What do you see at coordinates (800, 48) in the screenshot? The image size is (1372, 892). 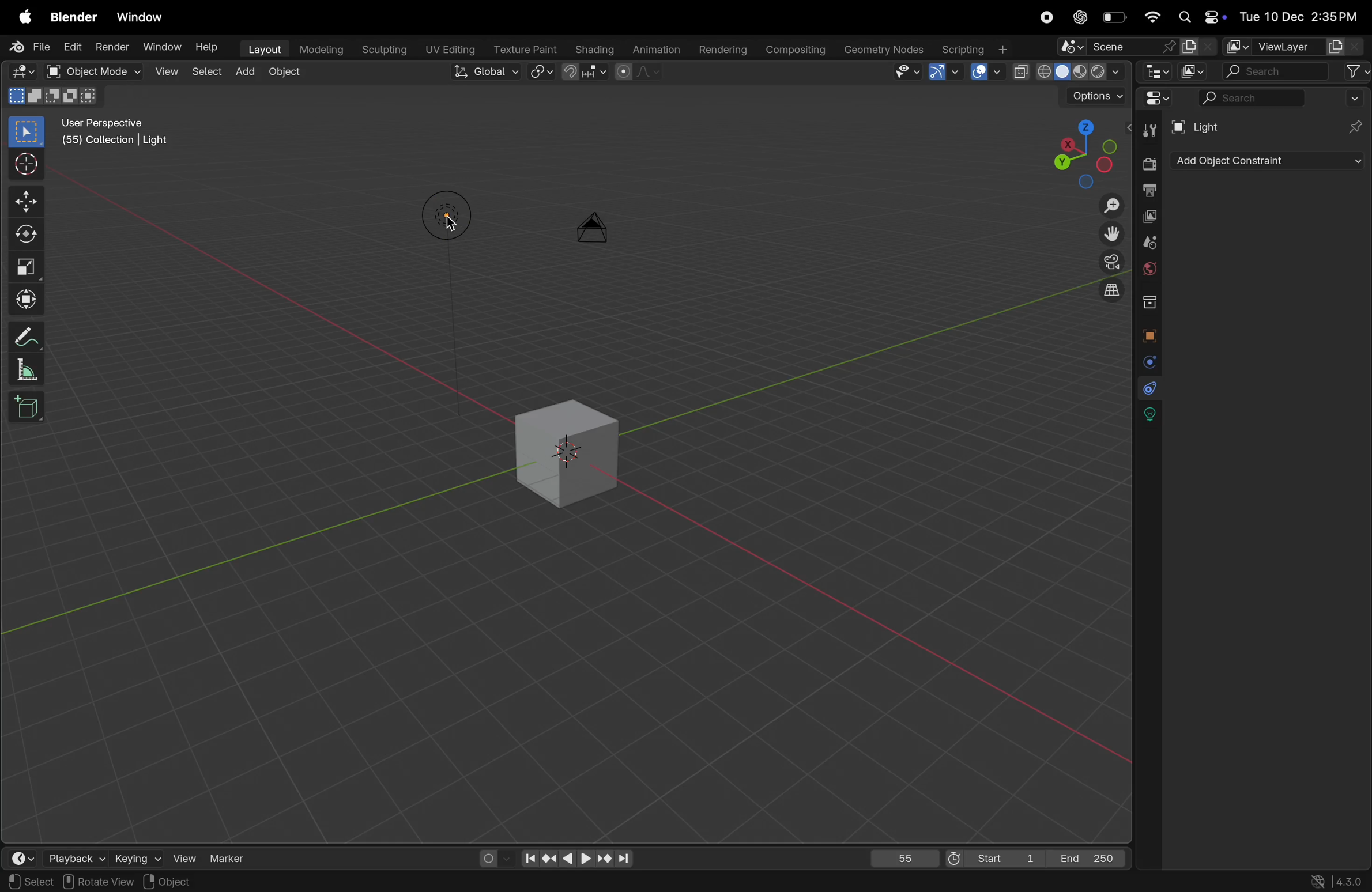 I see `compsing` at bounding box center [800, 48].